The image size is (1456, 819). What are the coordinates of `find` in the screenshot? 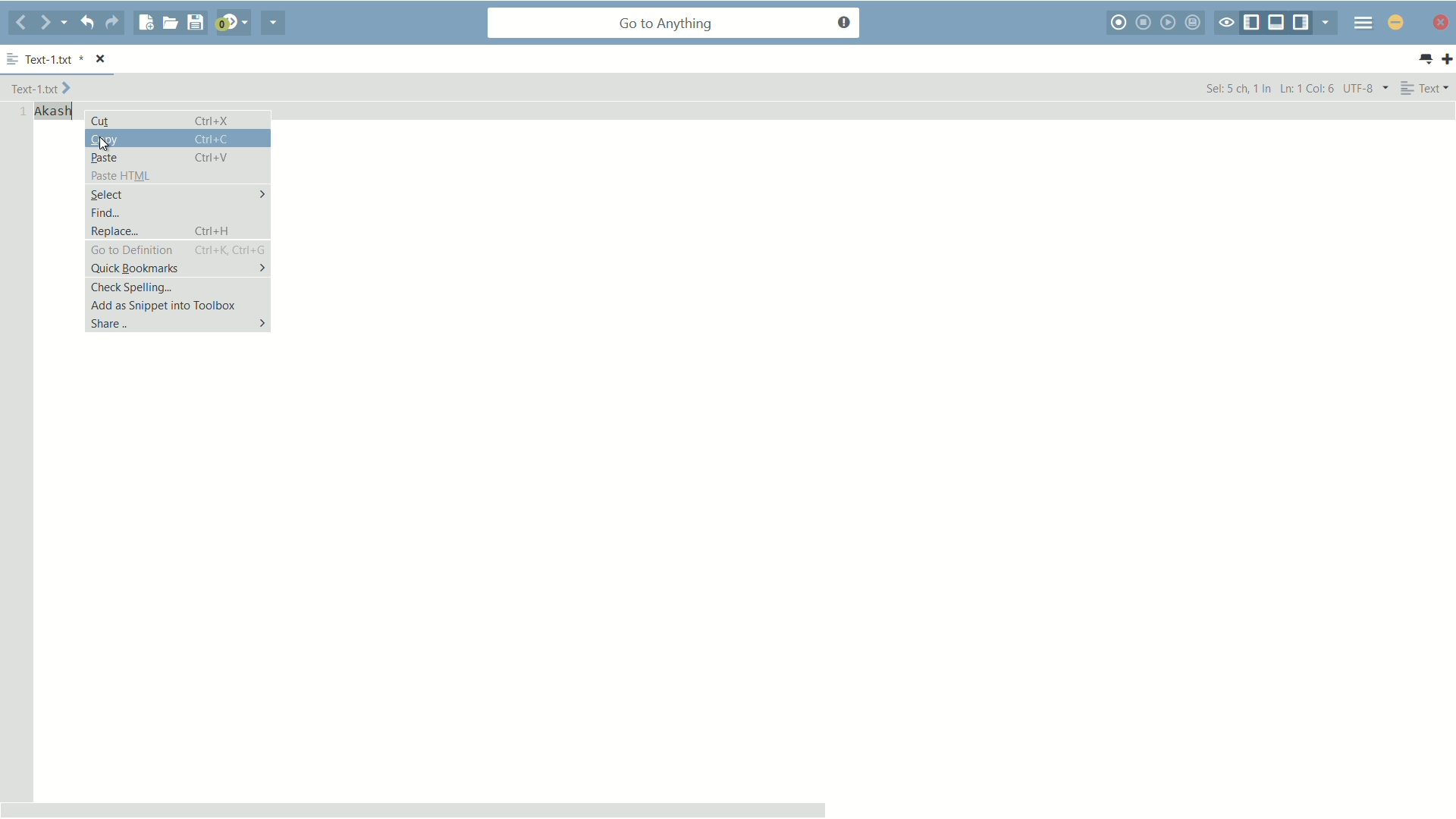 It's located at (177, 212).